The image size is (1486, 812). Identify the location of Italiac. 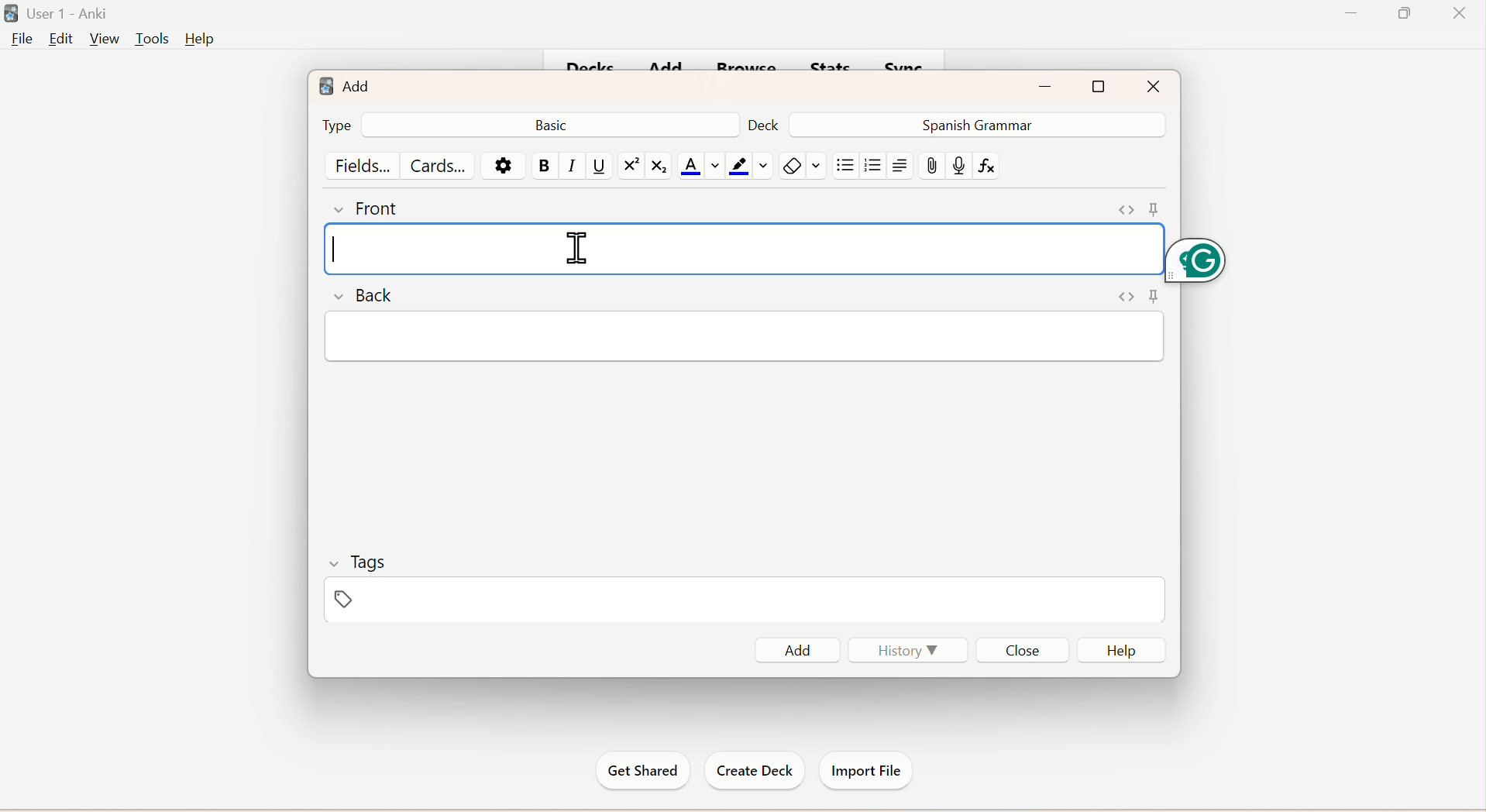
(573, 166).